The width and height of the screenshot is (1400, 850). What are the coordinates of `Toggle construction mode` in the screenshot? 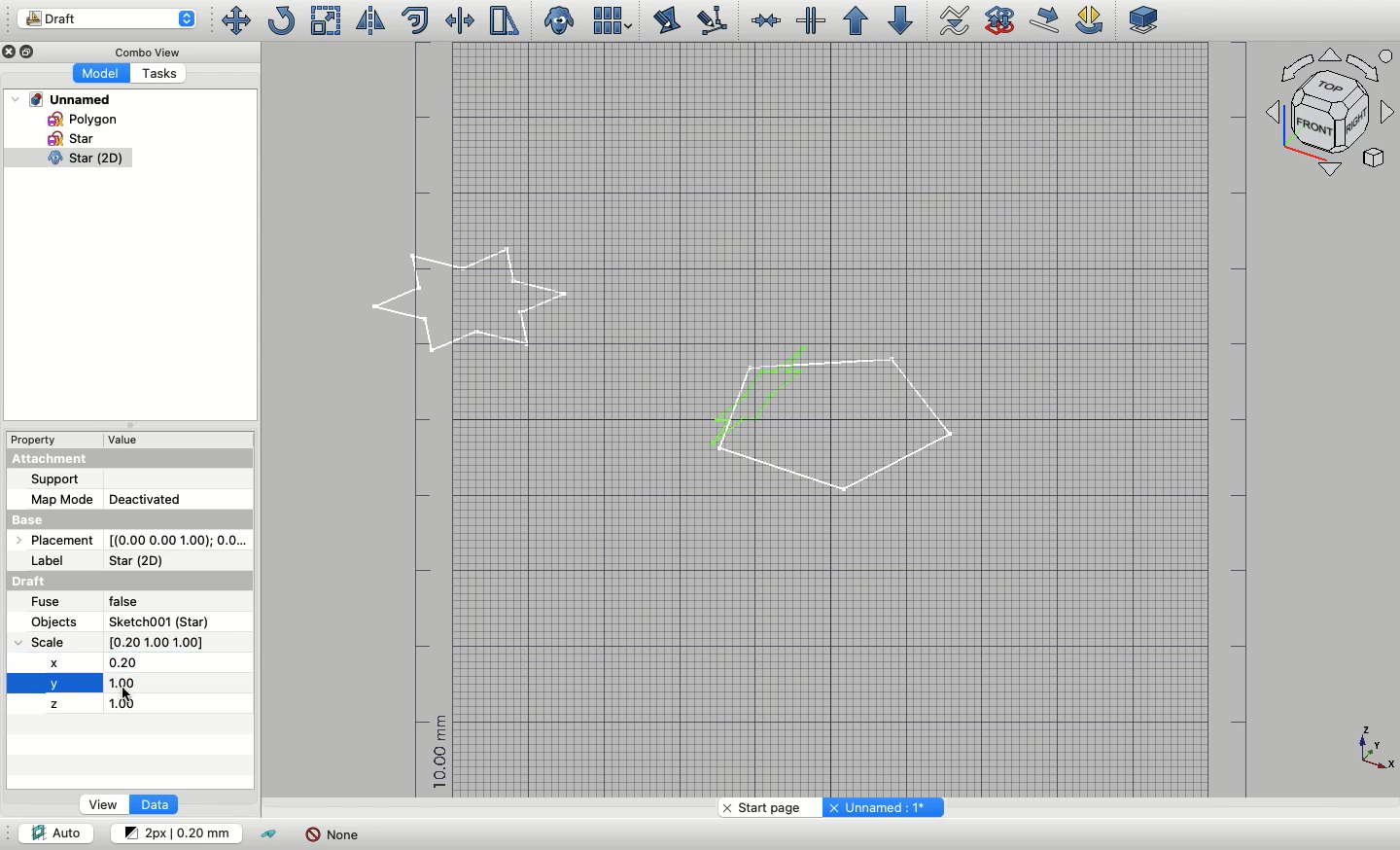 It's located at (270, 835).